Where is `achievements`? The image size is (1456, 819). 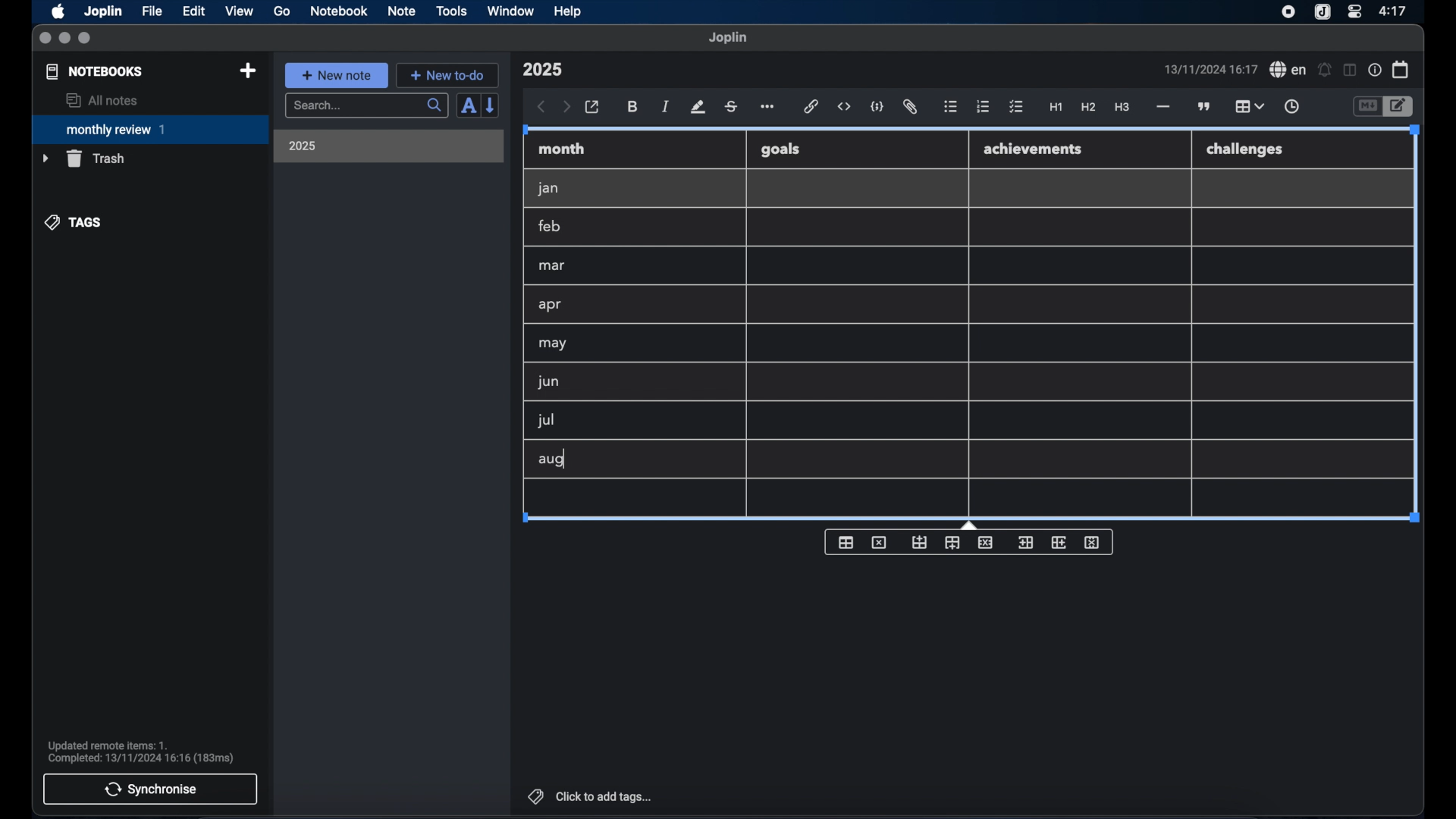
achievements is located at coordinates (1034, 149).